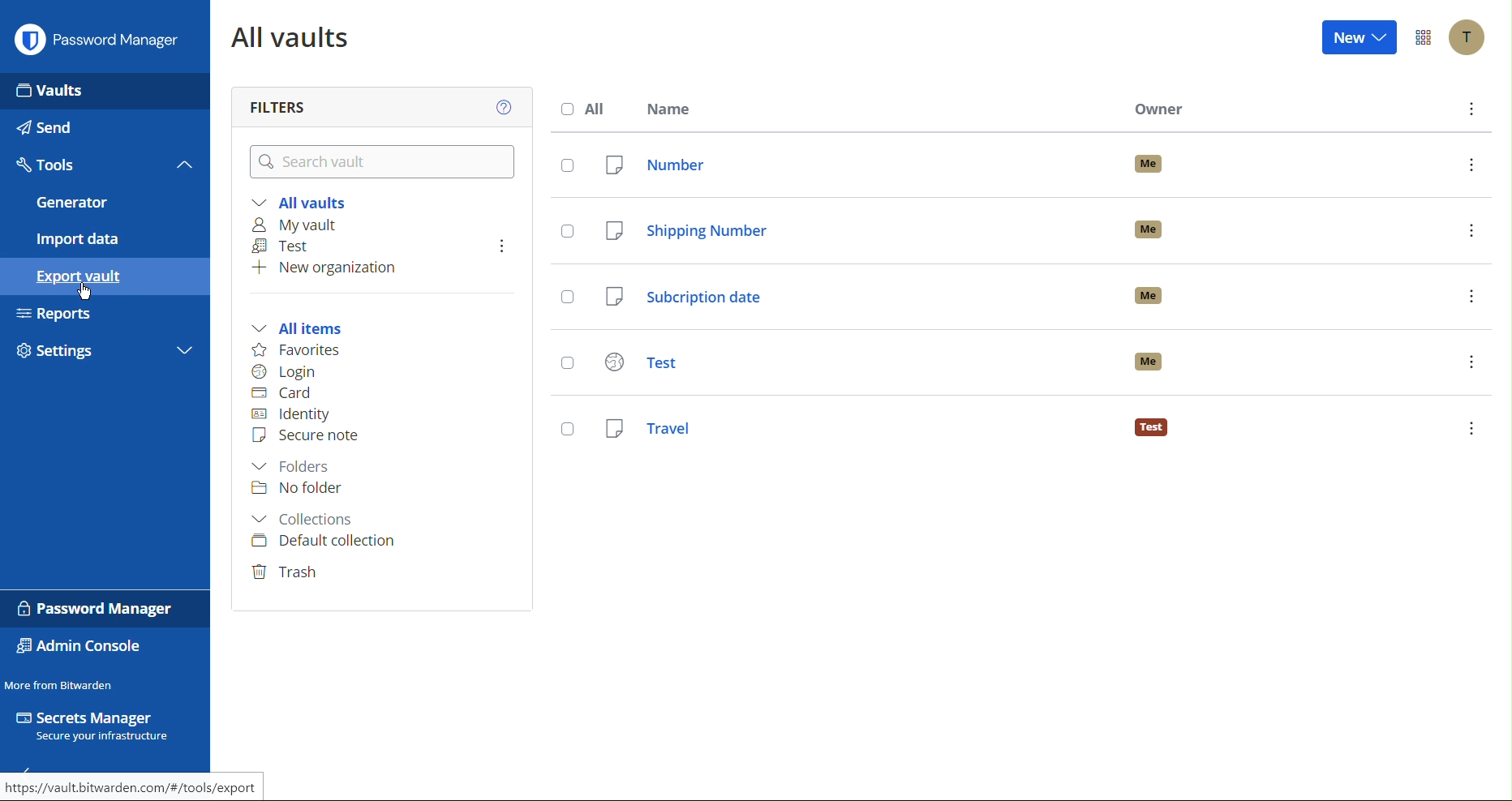  I want to click on Login, so click(288, 371).